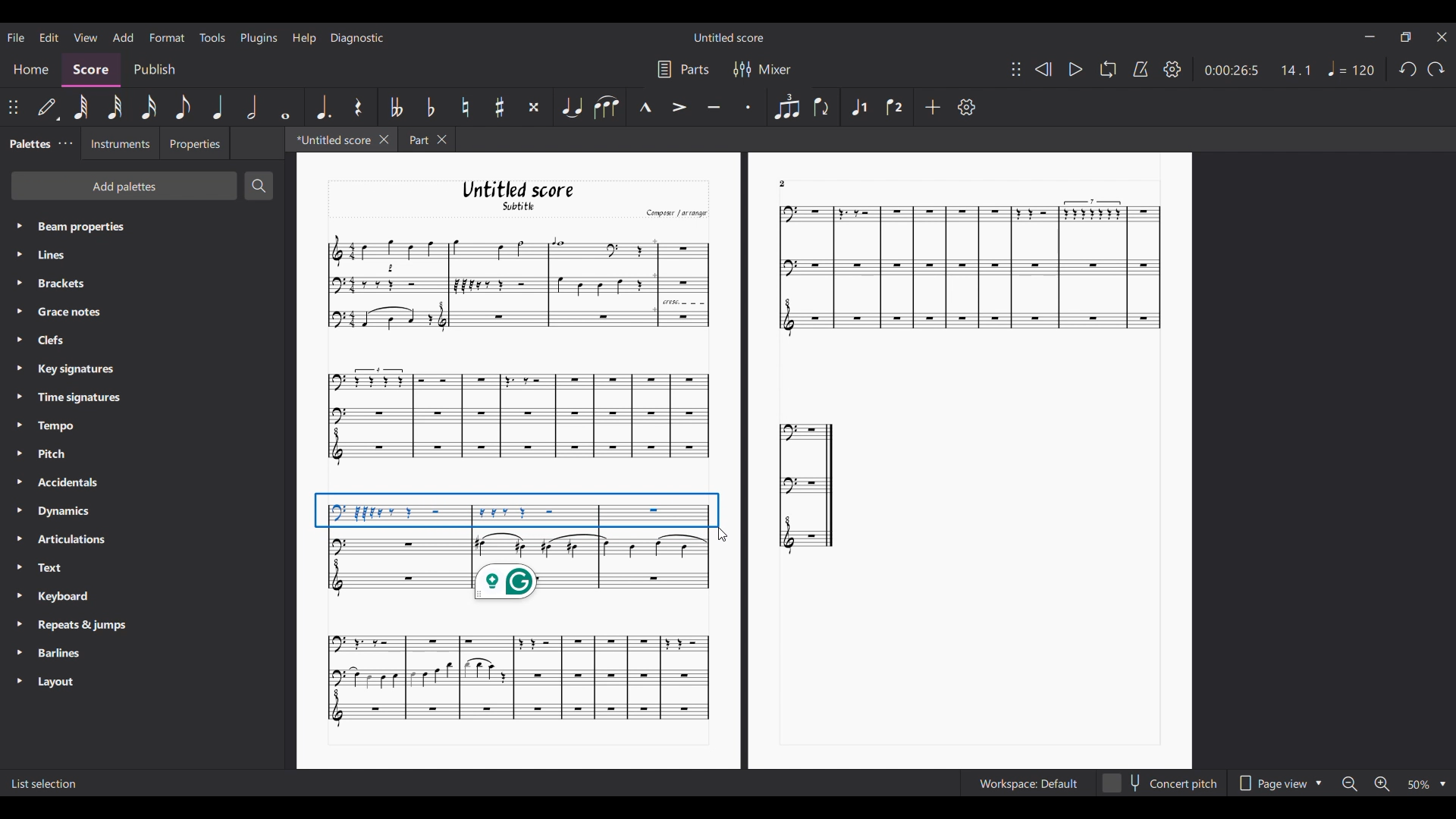 The image size is (1456, 819). I want to click on Mixer settings, so click(764, 69).